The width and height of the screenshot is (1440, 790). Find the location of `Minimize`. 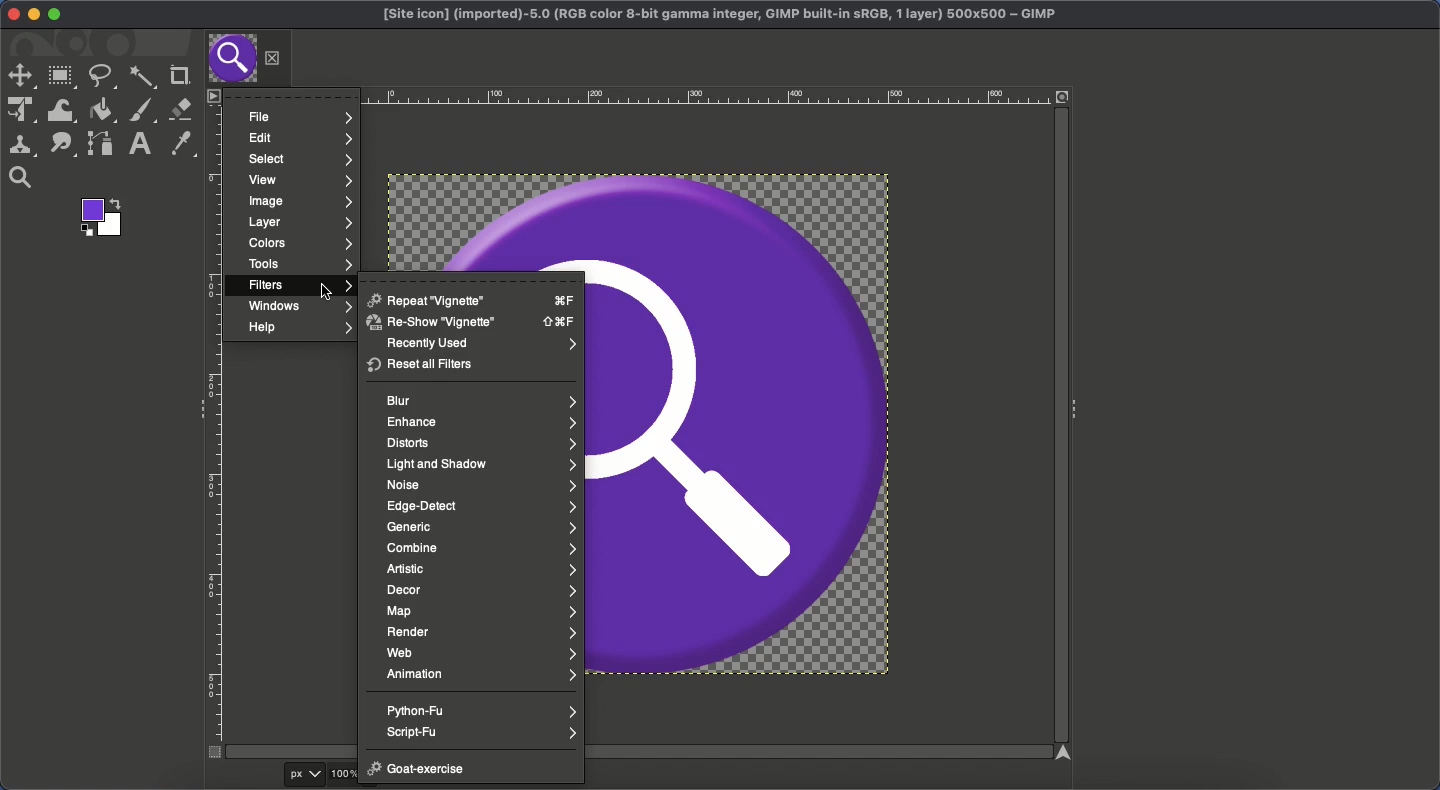

Minimize is located at coordinates (34, 15).